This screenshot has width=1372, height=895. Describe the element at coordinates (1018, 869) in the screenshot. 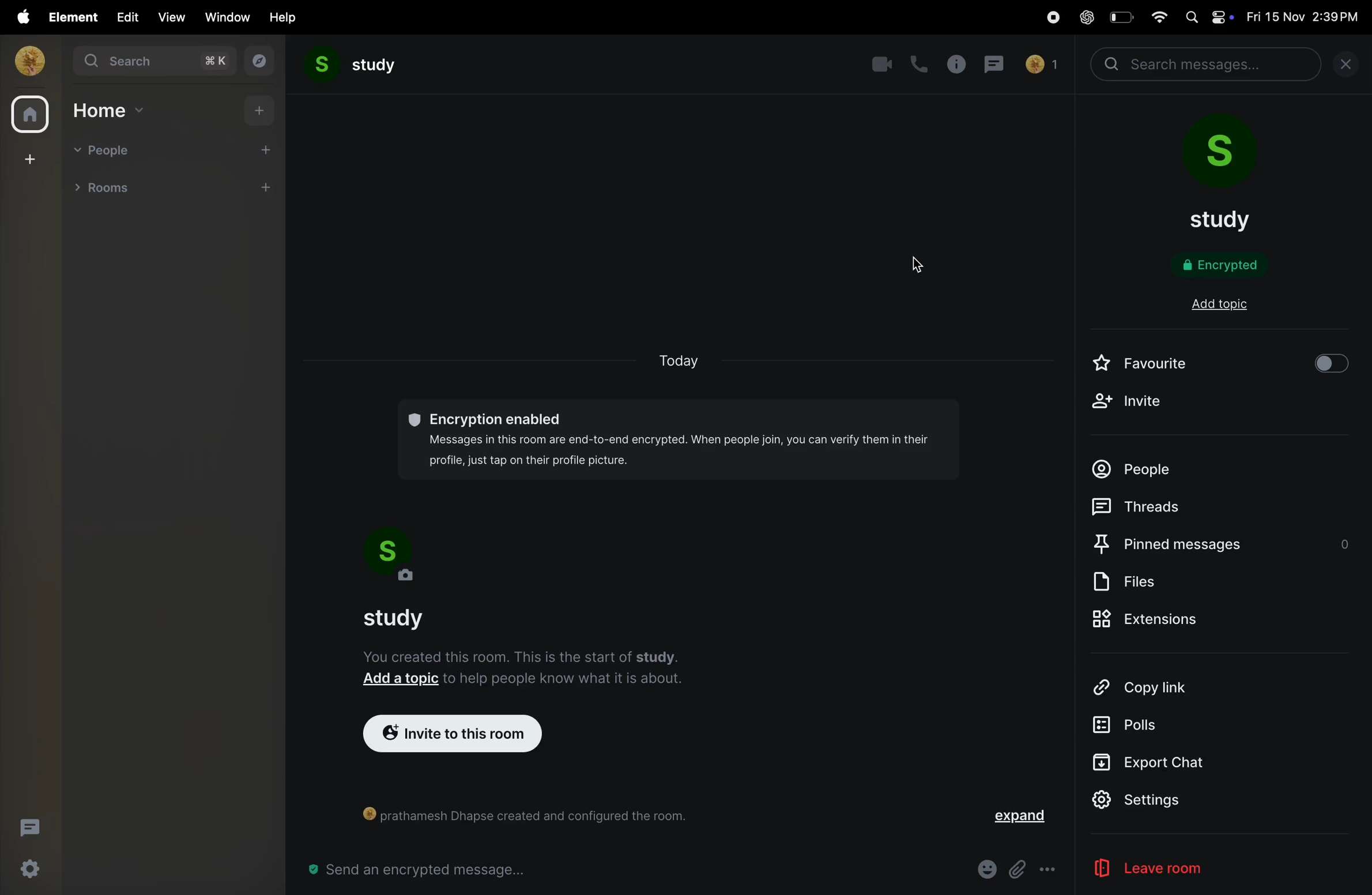

I see `` at that location.